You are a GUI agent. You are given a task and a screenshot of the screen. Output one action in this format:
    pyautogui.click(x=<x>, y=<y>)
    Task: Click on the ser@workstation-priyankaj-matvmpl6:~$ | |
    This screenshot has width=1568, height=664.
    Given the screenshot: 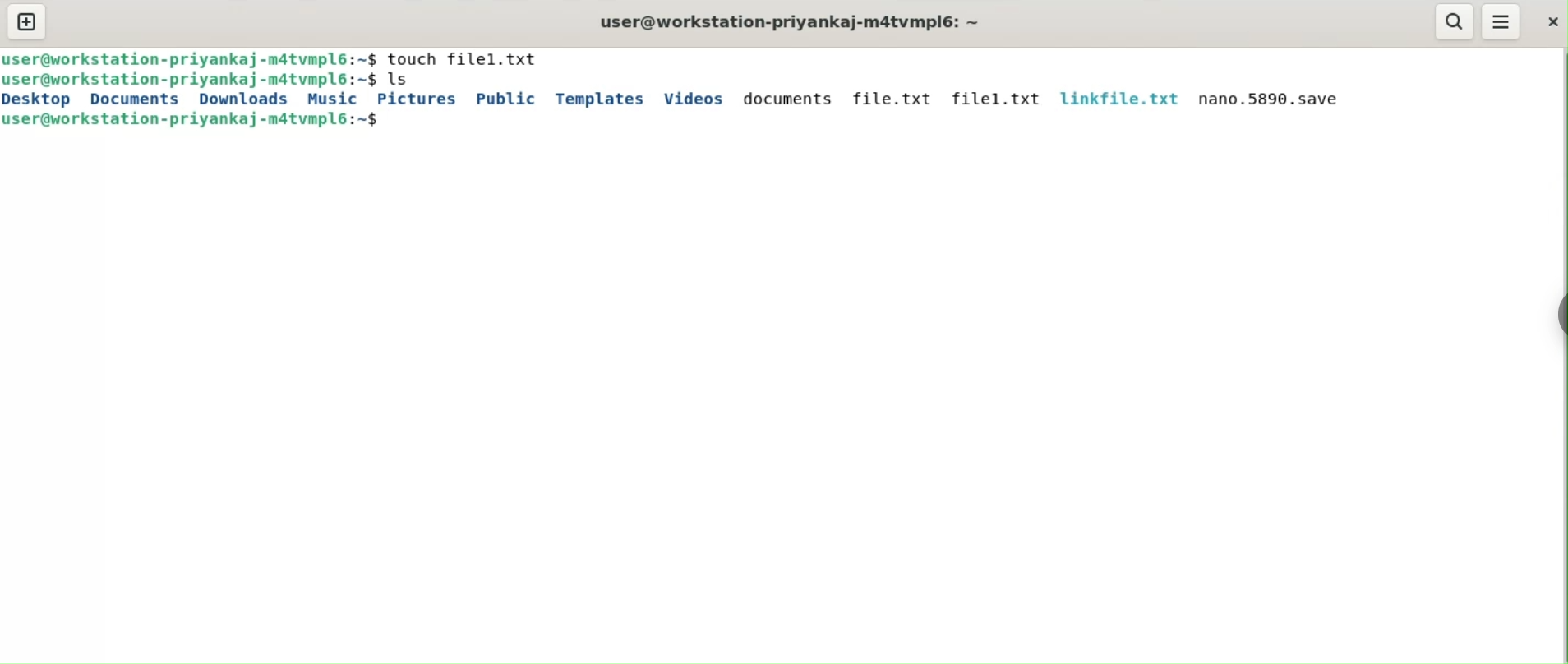 What is the action you would take?
    pyautogui.click(x=191, y=58)
    